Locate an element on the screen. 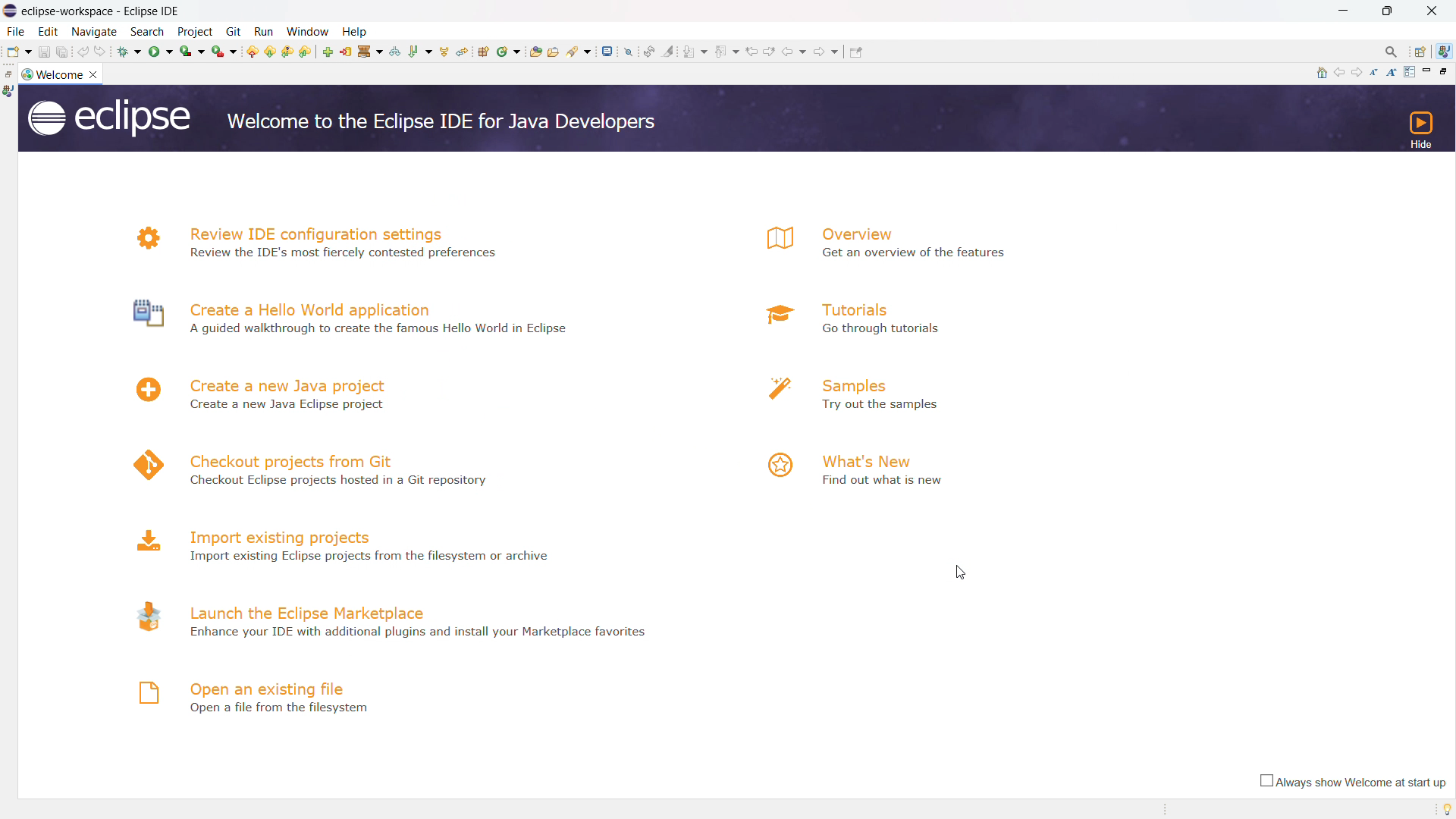  run last tool is located at coordinates (224, 51).